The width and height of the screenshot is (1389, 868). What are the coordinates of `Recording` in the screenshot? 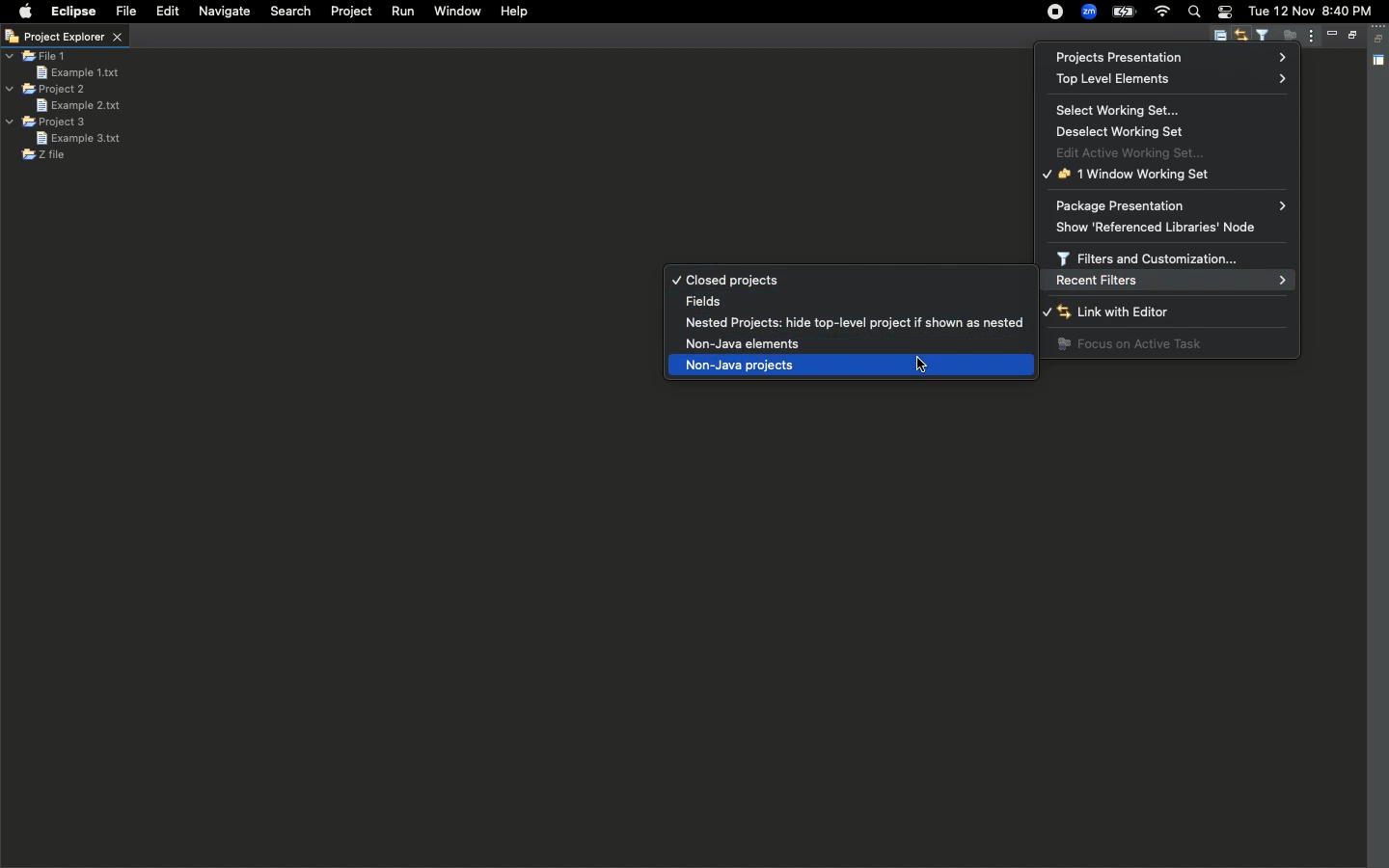 It's located at (1056, 13).